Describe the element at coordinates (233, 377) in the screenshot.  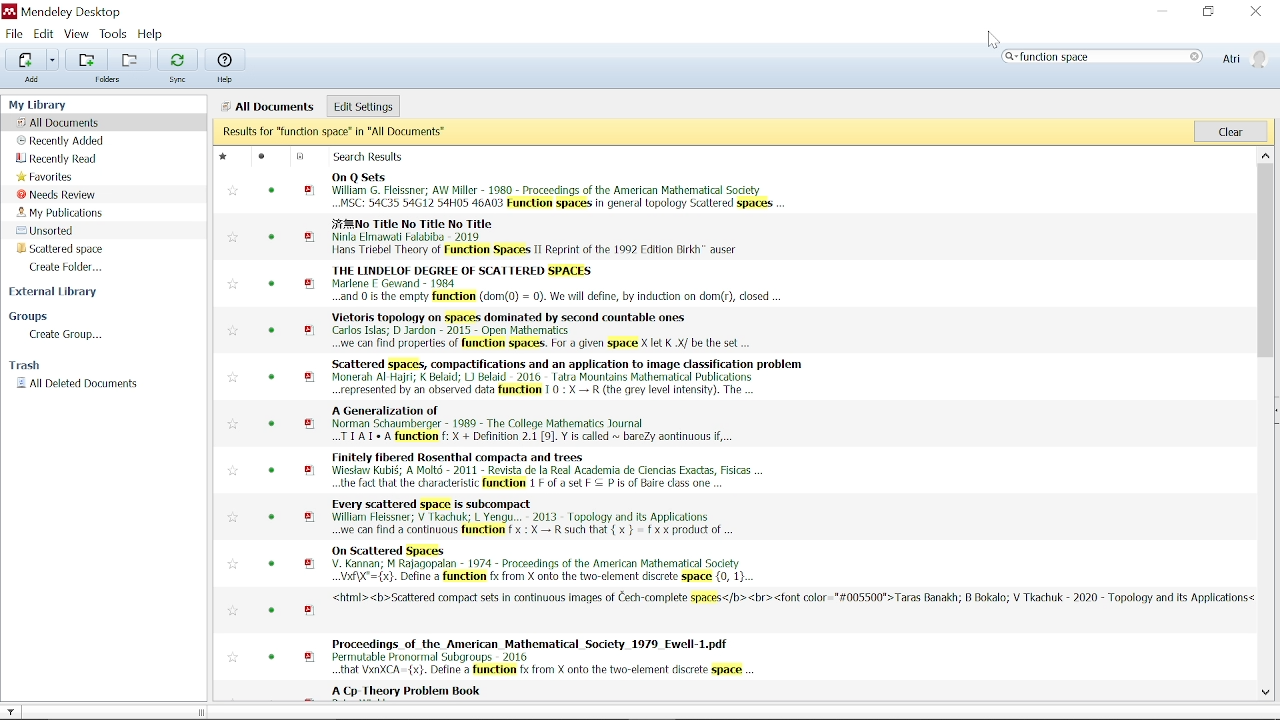
I see `Add to favorite` at that location.